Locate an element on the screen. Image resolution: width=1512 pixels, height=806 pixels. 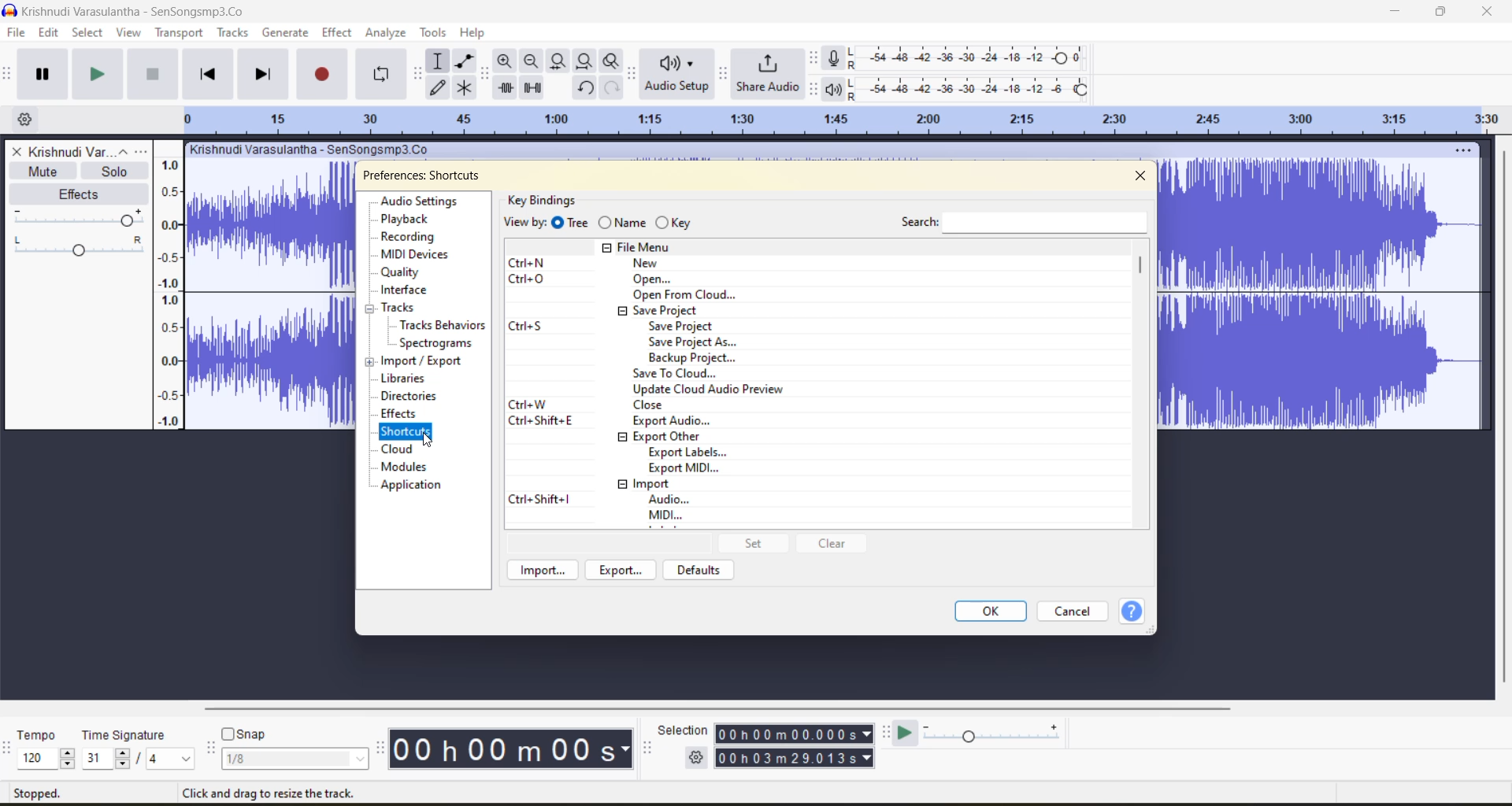
application is located at coordinates (412, 484).